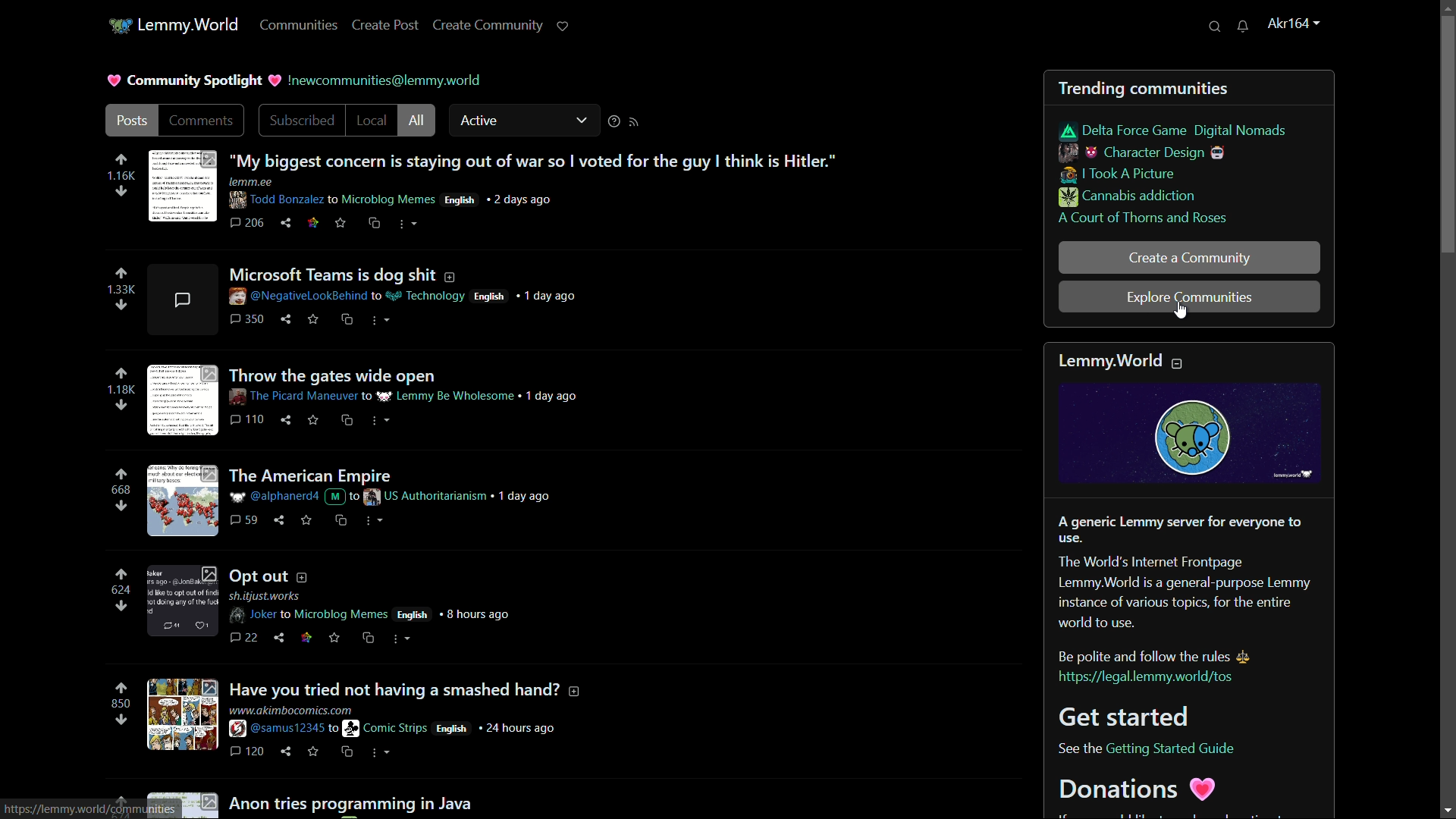 Image resolution: width=1456 pixels, height=819 pixels. What do you see at coordinates (121, 489) in the screenshot?
I see `number of votes` at bounding box center [121, 489].